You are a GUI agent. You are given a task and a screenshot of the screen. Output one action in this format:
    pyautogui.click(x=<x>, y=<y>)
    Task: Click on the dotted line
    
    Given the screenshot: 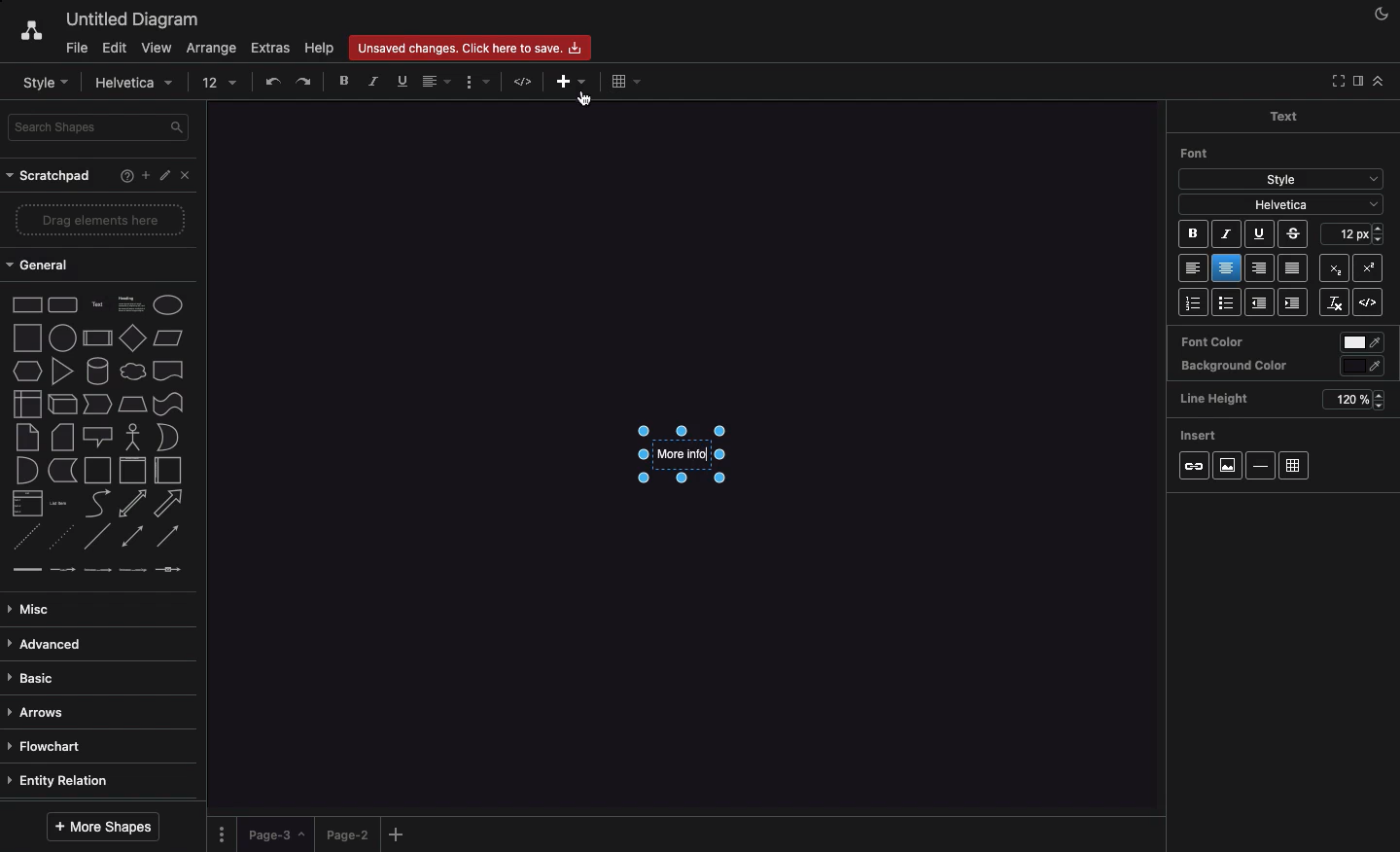 What is the action you would take?
    pyautogui.click(x=59, y=536)
    